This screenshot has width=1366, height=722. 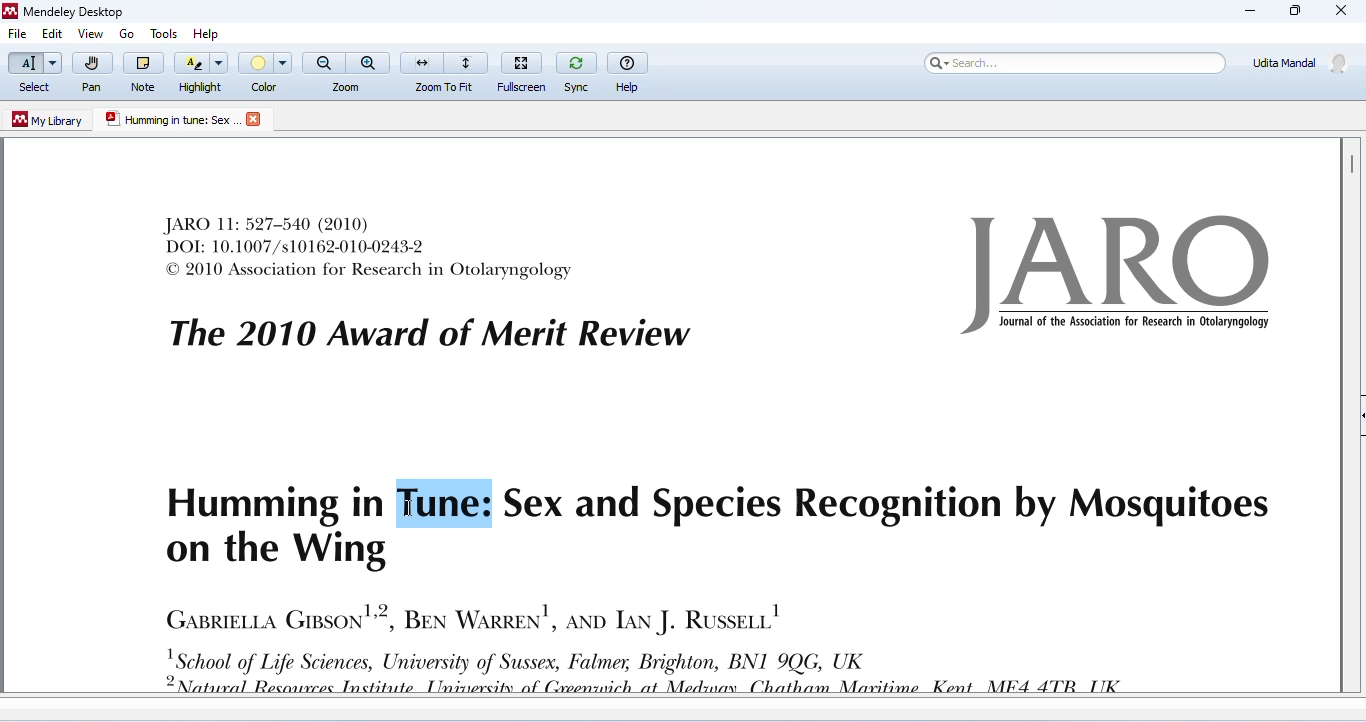 What do you see at coordinates (715, 526) in the screenshot?
I see `Humming in Tune; Sex and Species Recognition by Mosquitoes on the Wing` at bounding box center [715, 526].